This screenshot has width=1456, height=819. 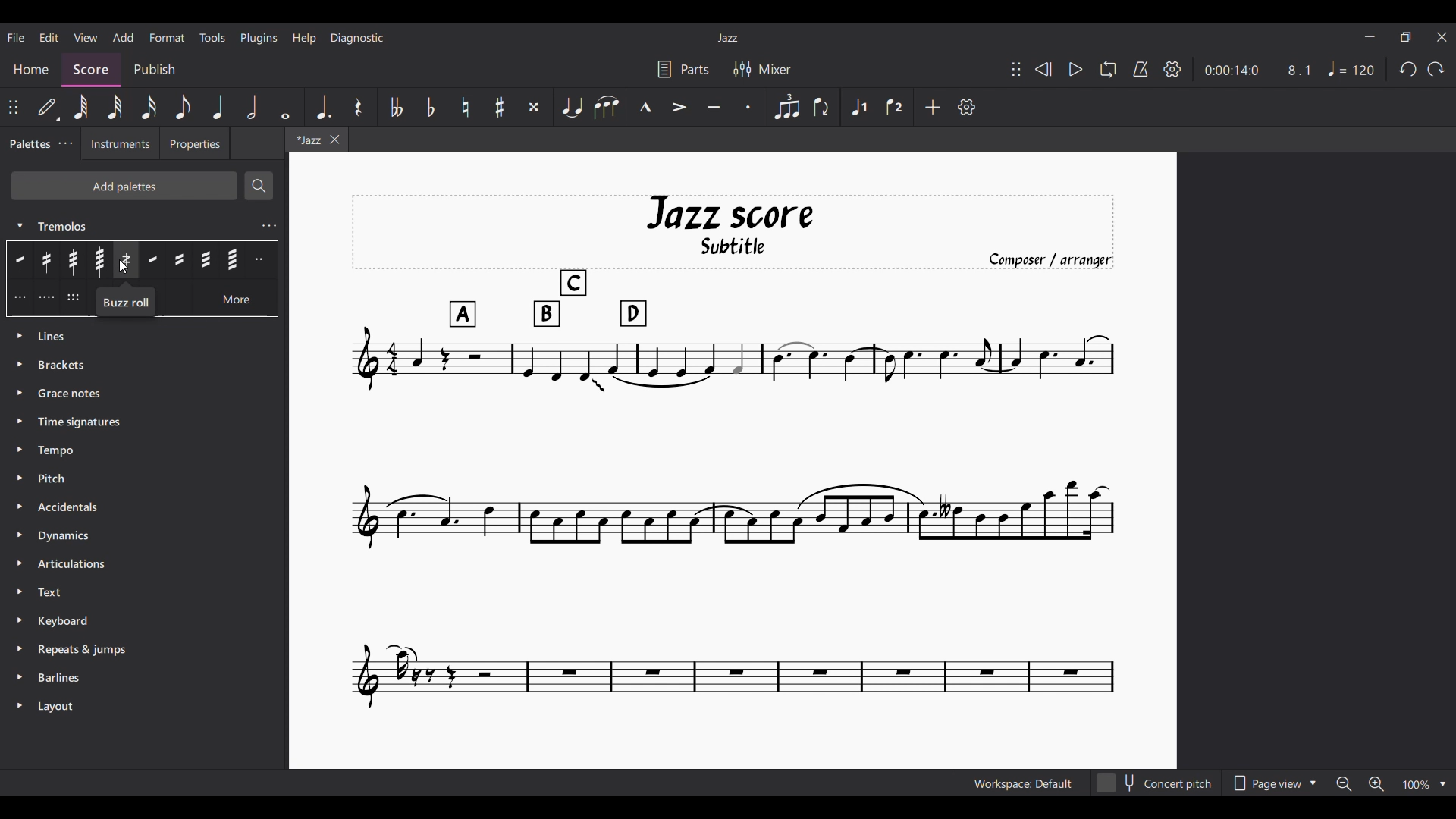 I want to click on Pitch, so click(x=145, y=479).